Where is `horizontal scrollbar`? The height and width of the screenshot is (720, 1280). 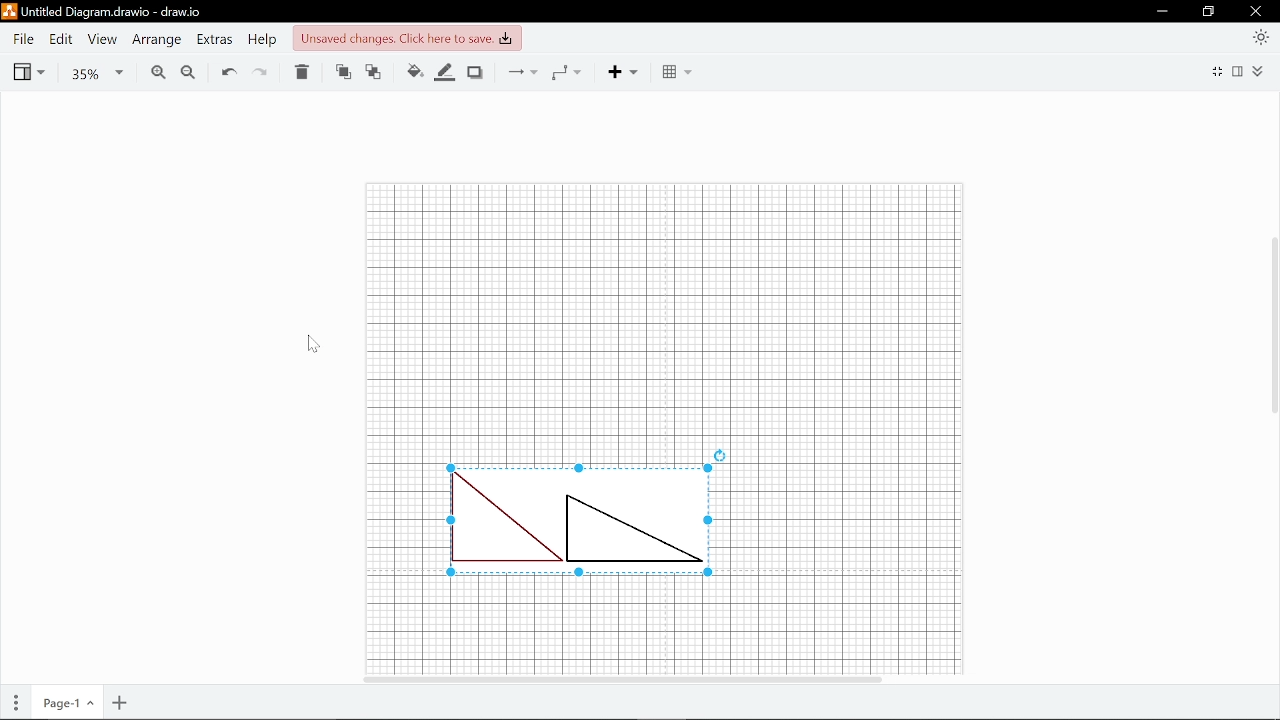
horizontal scrollbar is located at coordinates (696, 680).